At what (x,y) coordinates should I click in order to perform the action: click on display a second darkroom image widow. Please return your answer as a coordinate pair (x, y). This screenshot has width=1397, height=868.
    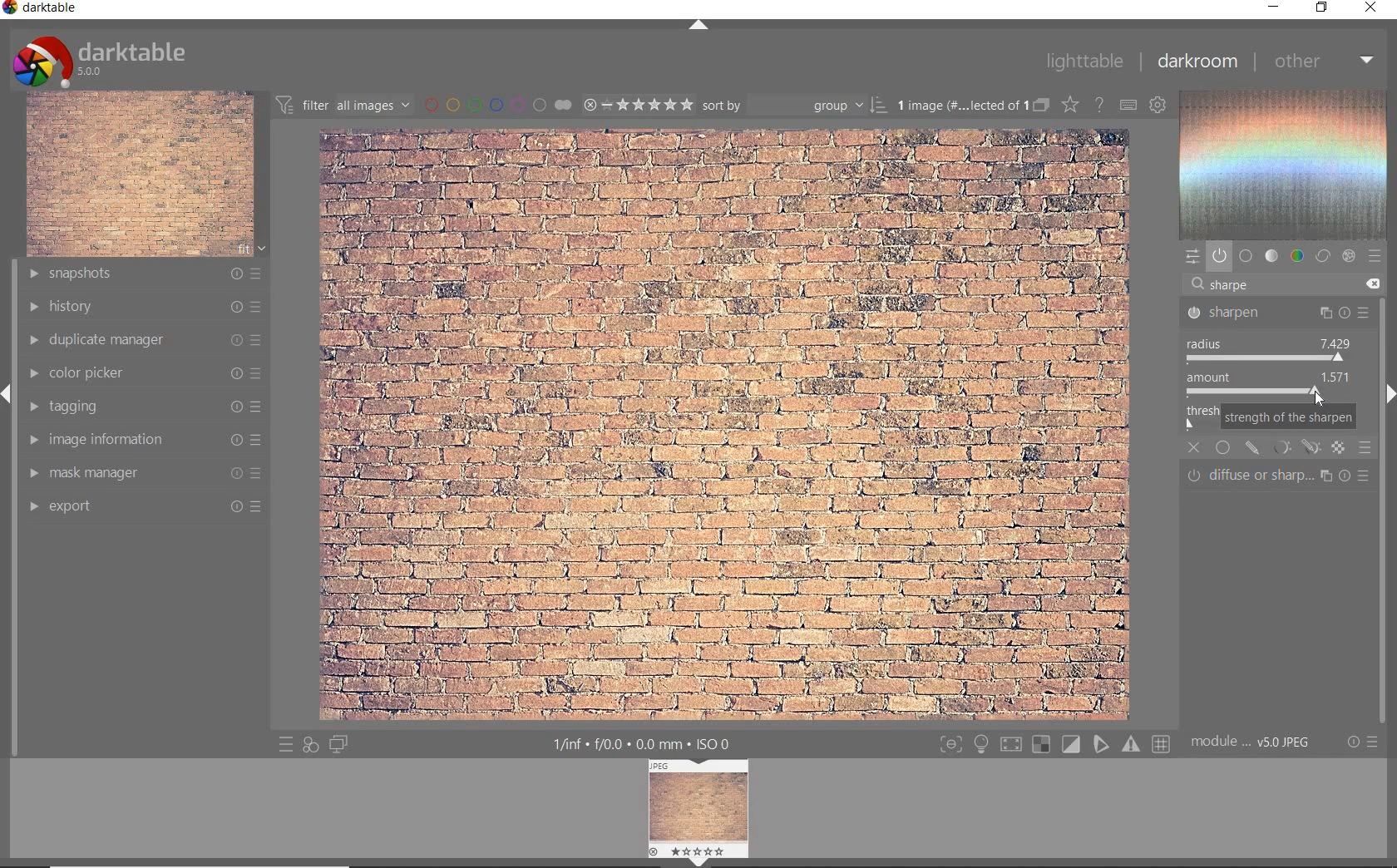
    Looking at the image, I should click on (340, 744).